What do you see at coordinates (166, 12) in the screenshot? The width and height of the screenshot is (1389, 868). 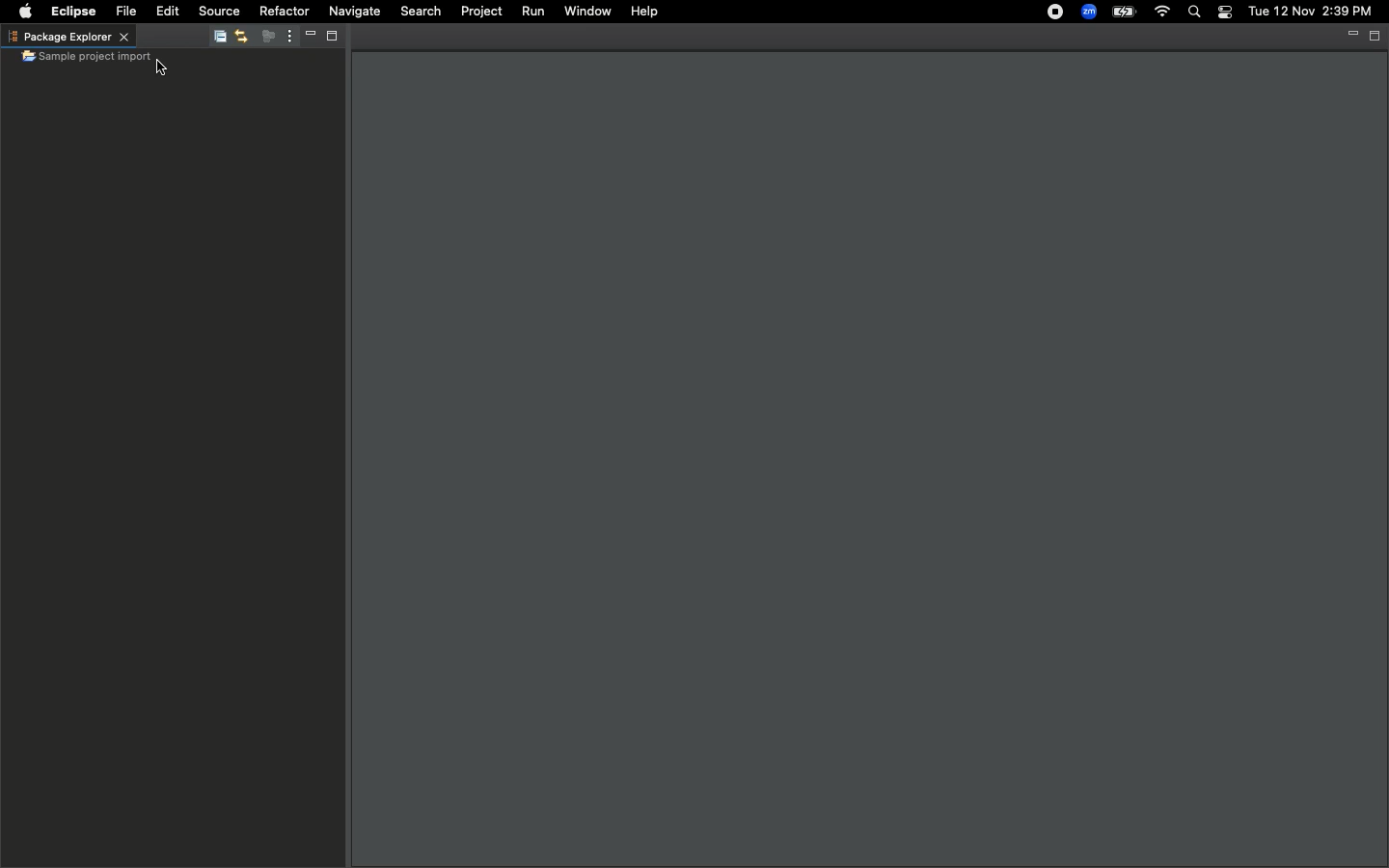 I see `Edit` at bounding box center [166, 12].